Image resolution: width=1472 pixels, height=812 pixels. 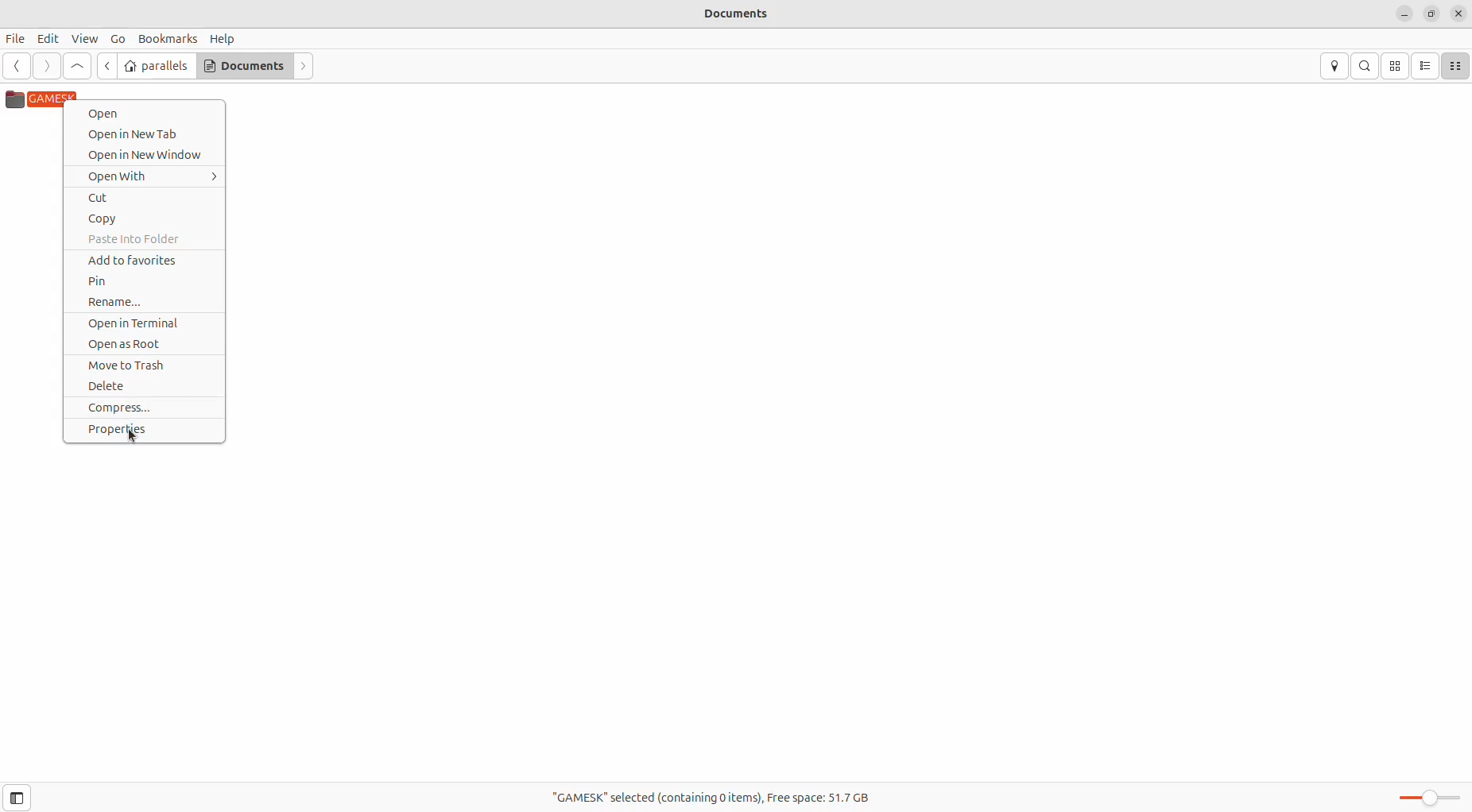 What do you see at coordinates (1433, 14) in the screenshot?
I see `resize` at bounding box center [1433, 14].